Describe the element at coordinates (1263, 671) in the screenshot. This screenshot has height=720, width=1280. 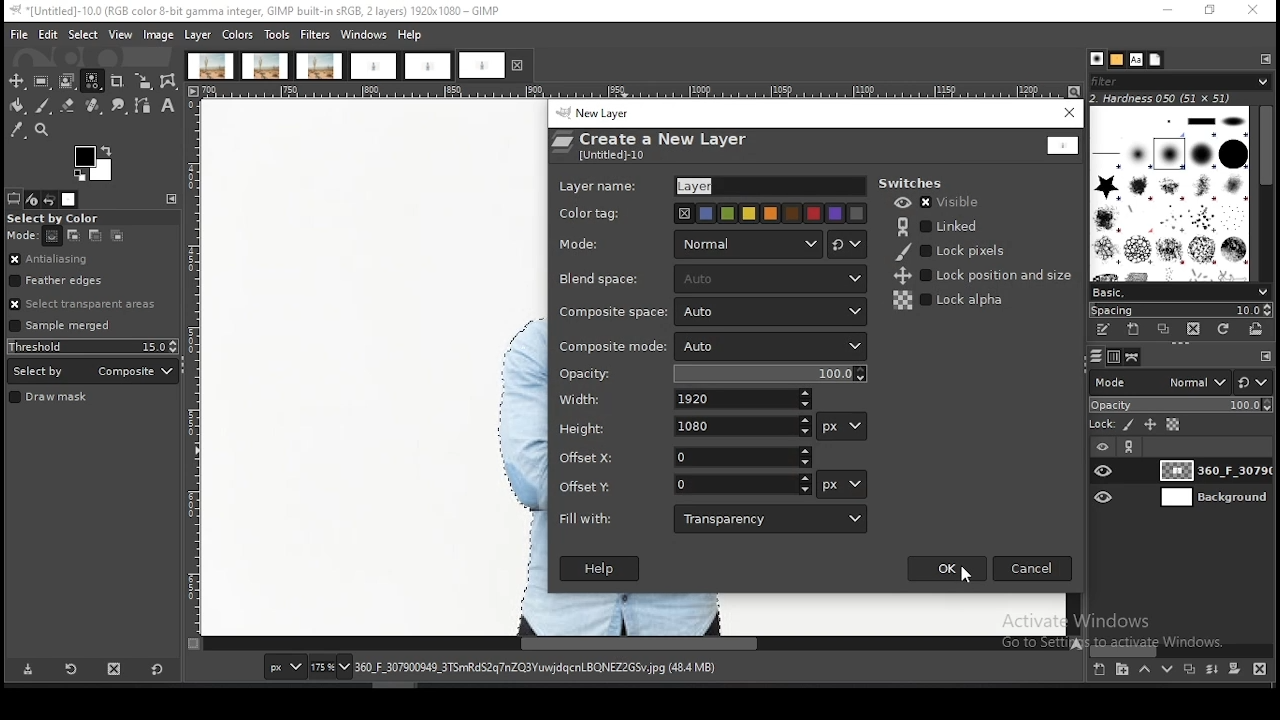
I see `delete layer` at that location.